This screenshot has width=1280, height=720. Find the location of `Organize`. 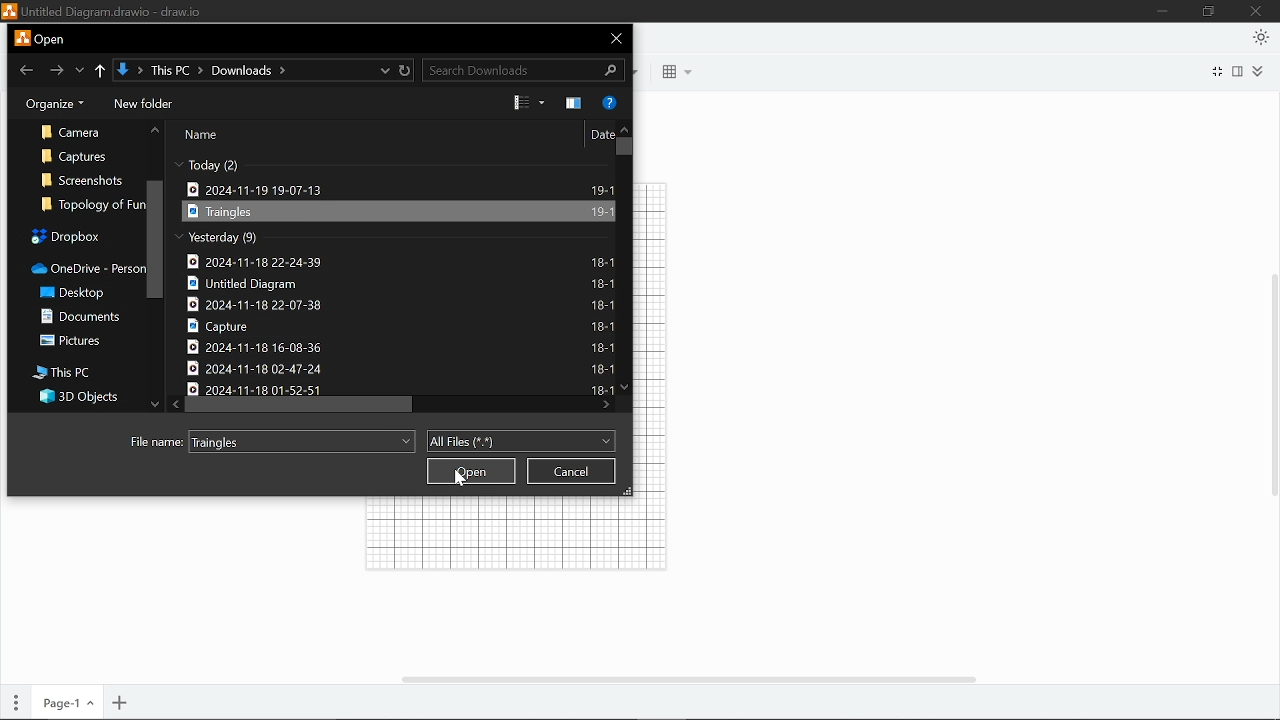

Organize is located at coordinates (52, 105).